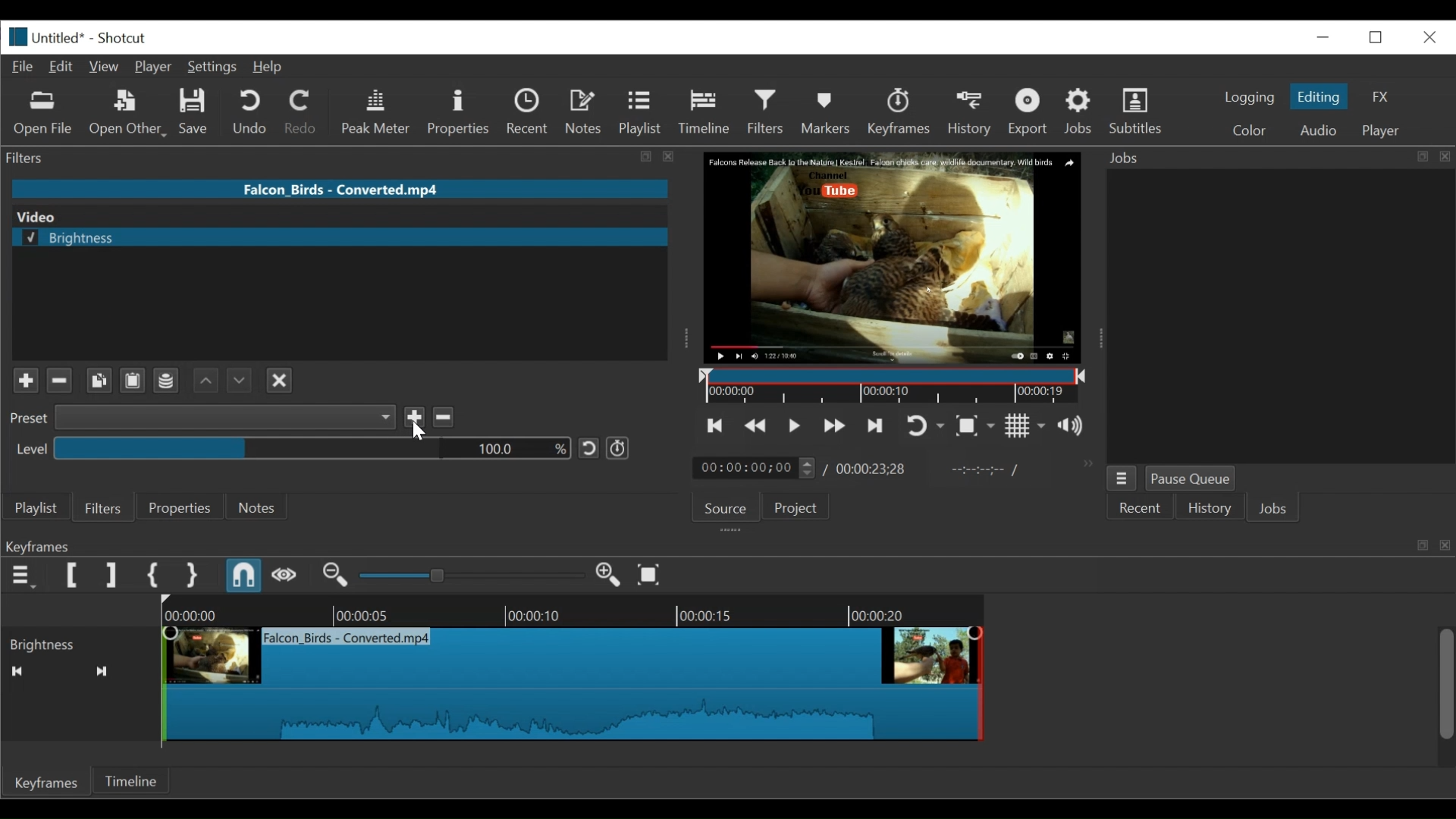  What do you see at coordinates (444, 417) in the screenshot?
I see `Delete` at bounding box center [444, 417].